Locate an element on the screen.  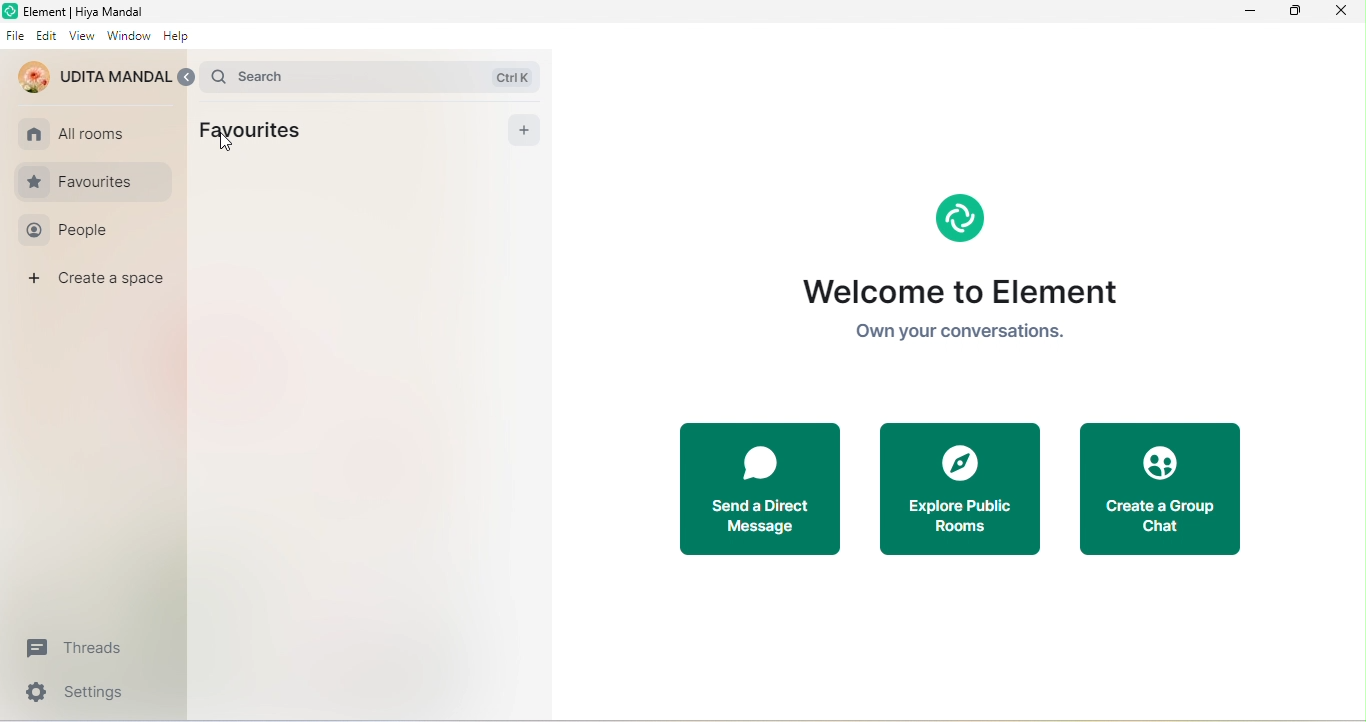
people is located at coordinates (87, 231).